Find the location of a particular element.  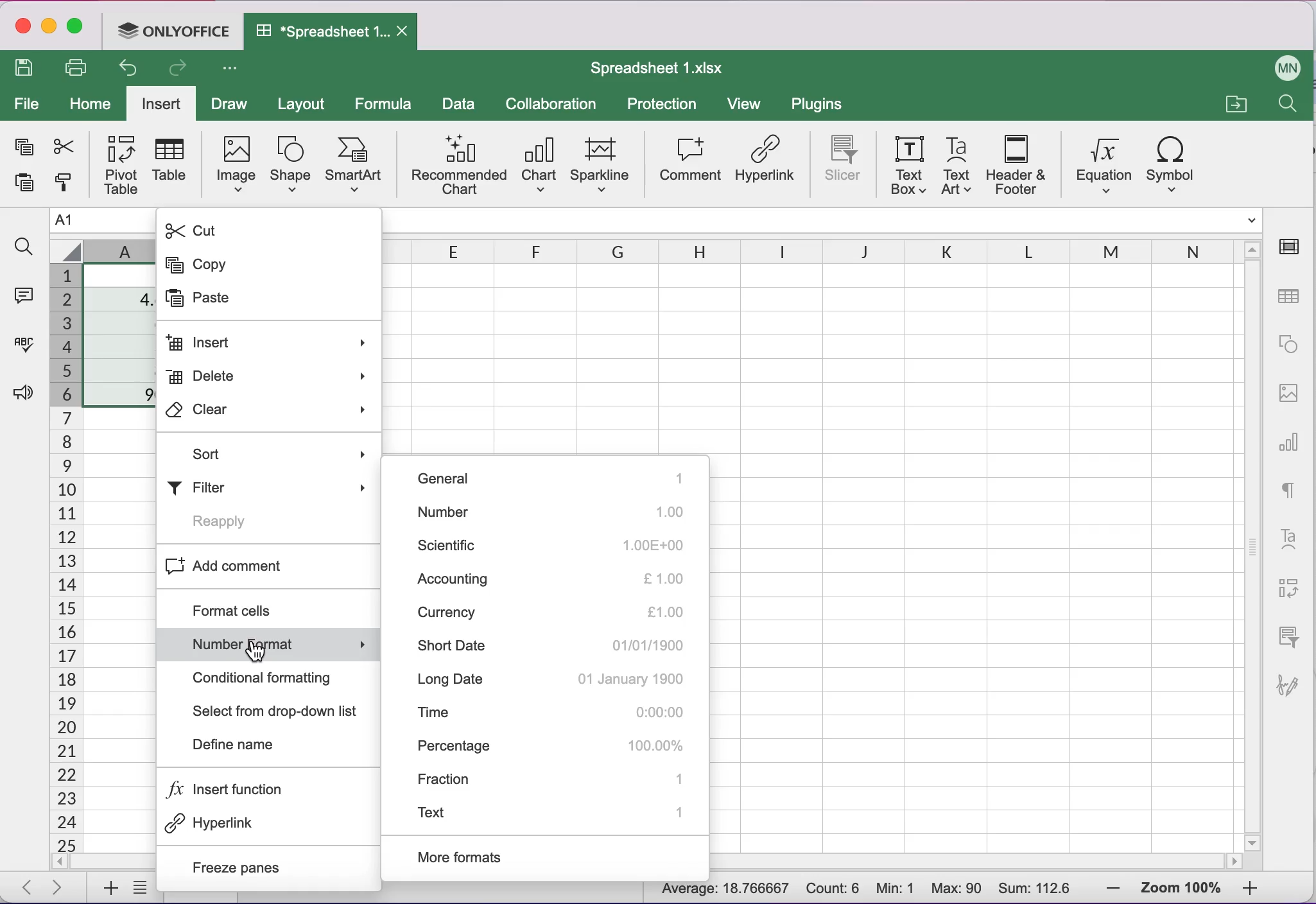

Spreadsheet 1.xIsx is located at coordinates (656, 67).